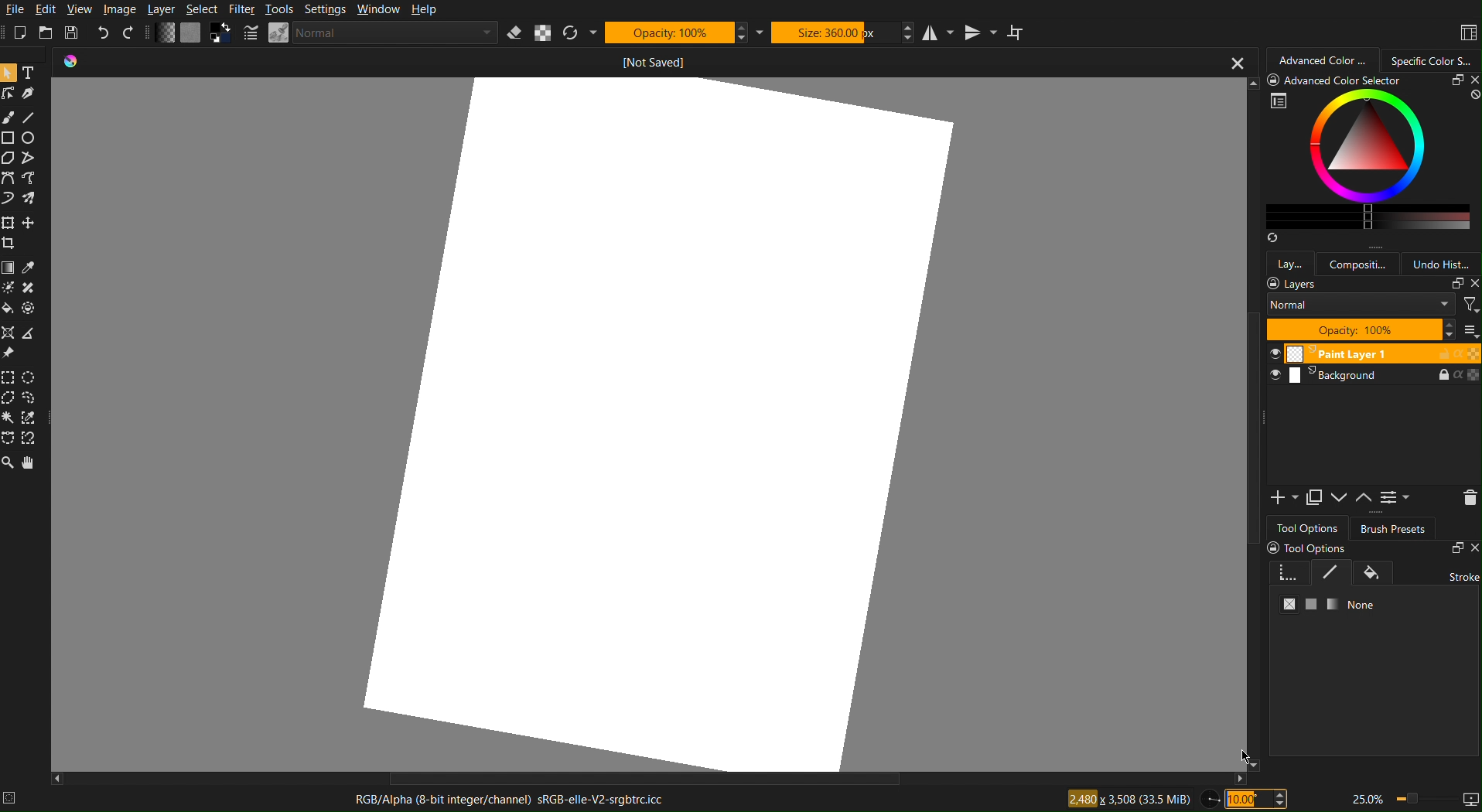 This screenshot has height=812, width=1482. I want to click on Layer 2, so click(1373, 375).